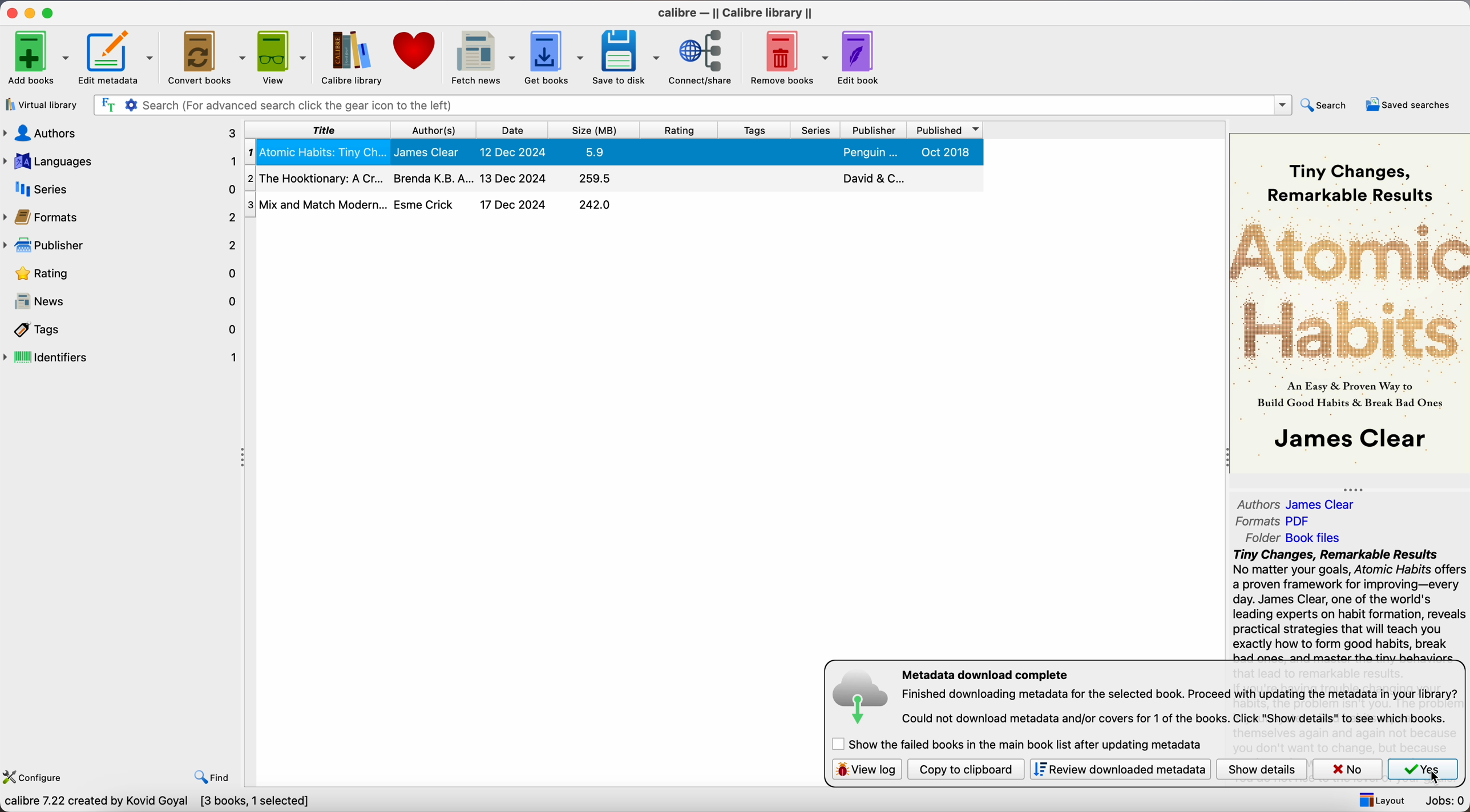  What do you see at coordinates (283, 58) in the screenshot?
I see `view` at bounding box center [283, 58].